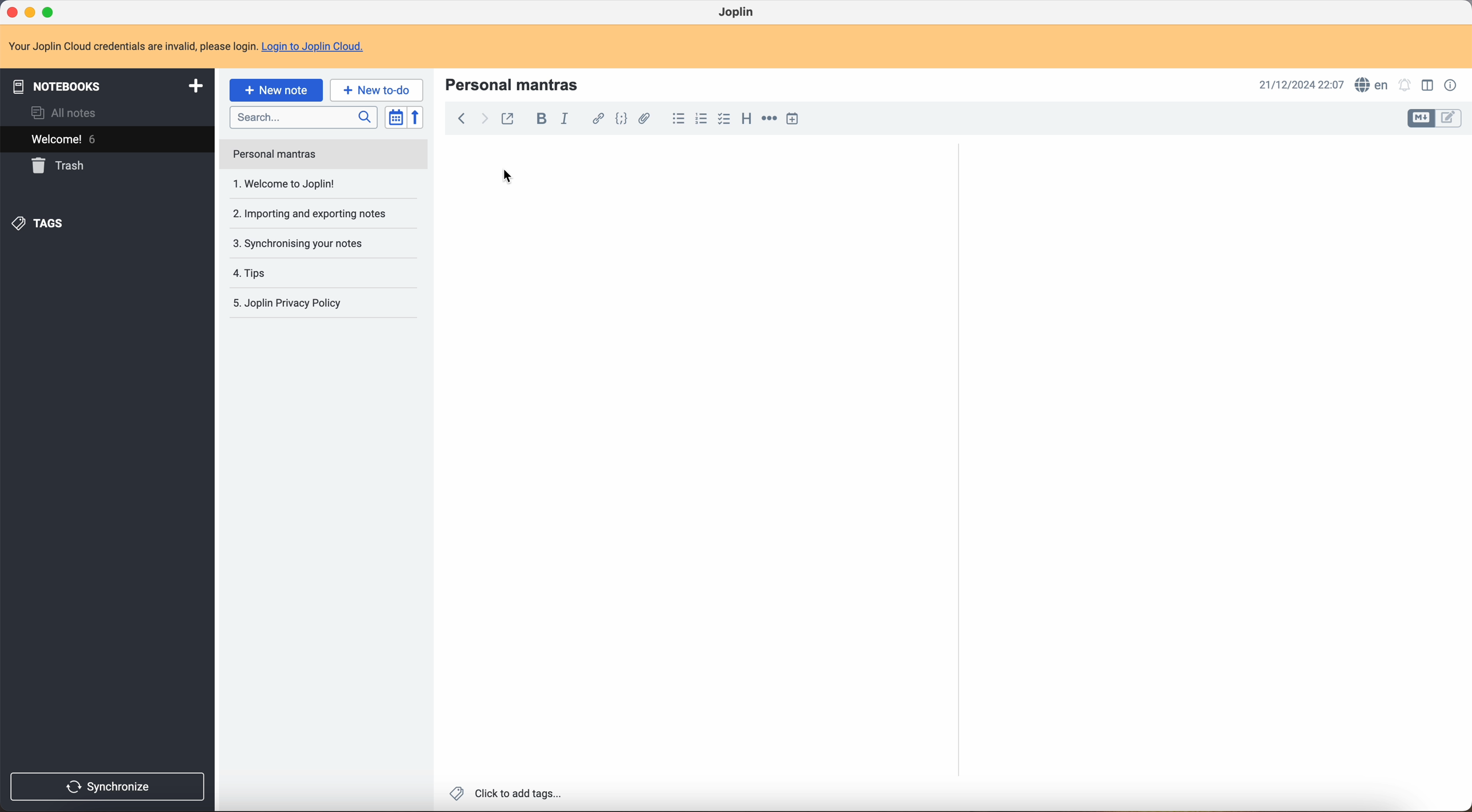 The image size is (1472, 812). What do you see at coordinates (107, 85) in the screenshot?
I see `notebooks` at bounding box center [107, 85].